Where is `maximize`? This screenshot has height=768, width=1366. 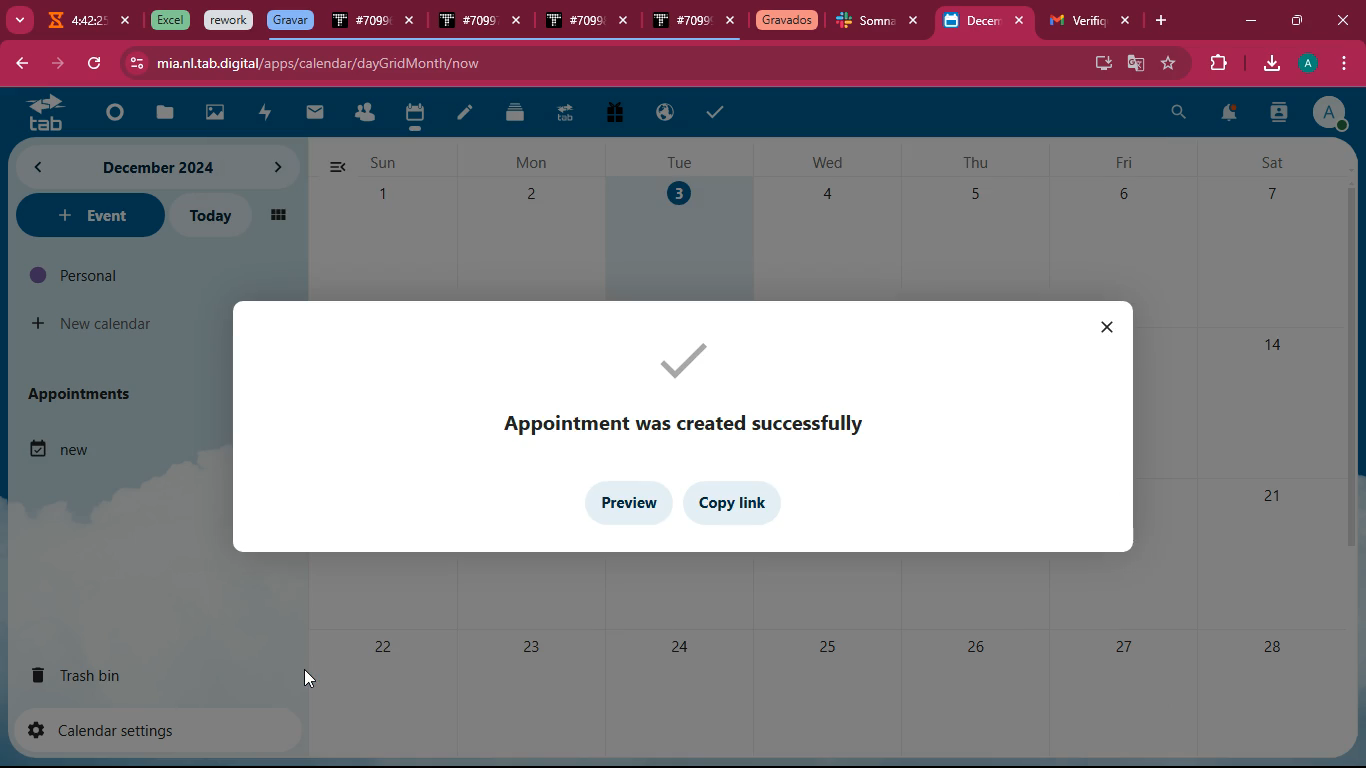
maximize is located at coordinates (1295, 18).